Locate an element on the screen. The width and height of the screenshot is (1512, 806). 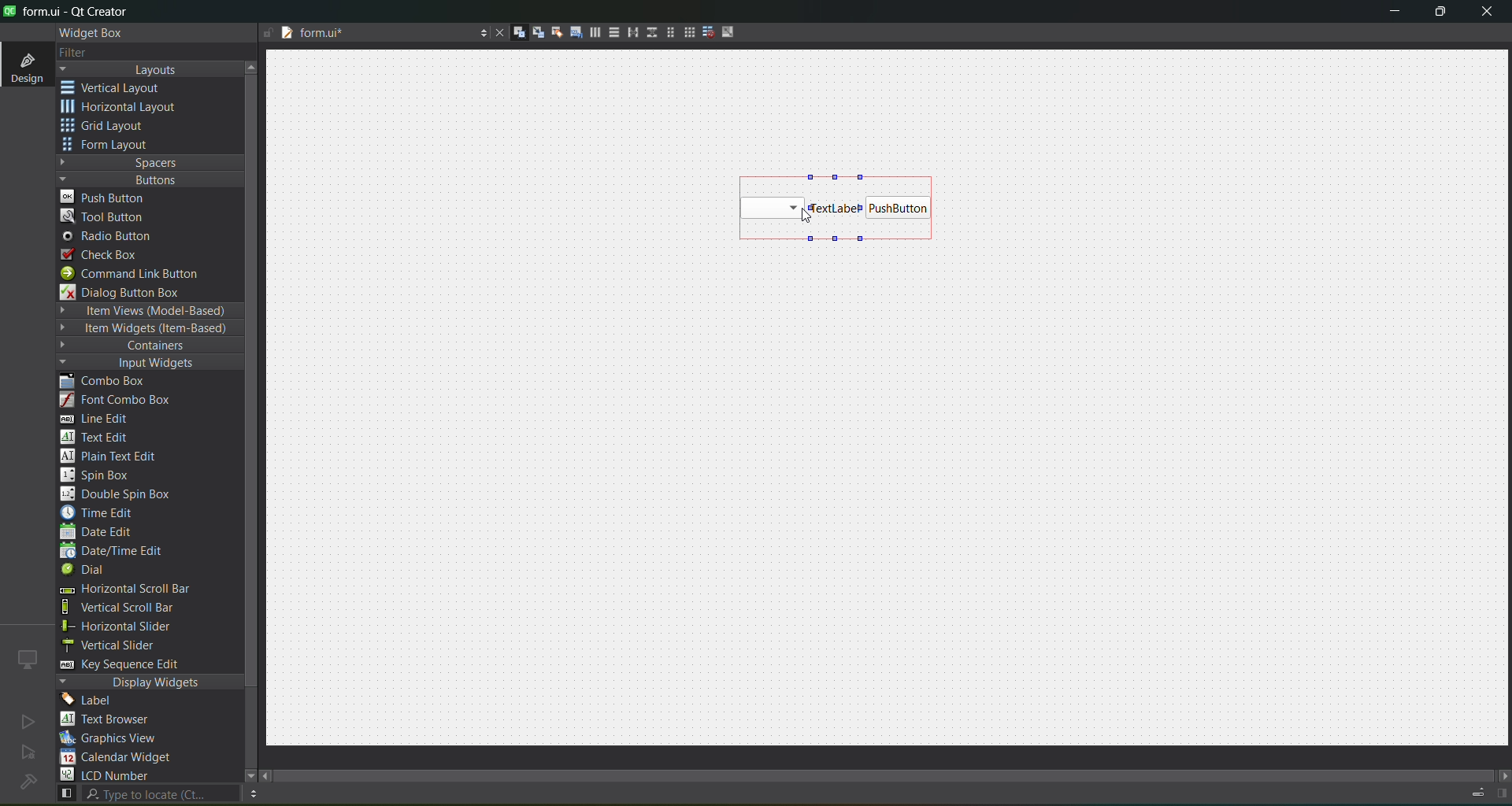
move left is located at coordinates (268, 777).